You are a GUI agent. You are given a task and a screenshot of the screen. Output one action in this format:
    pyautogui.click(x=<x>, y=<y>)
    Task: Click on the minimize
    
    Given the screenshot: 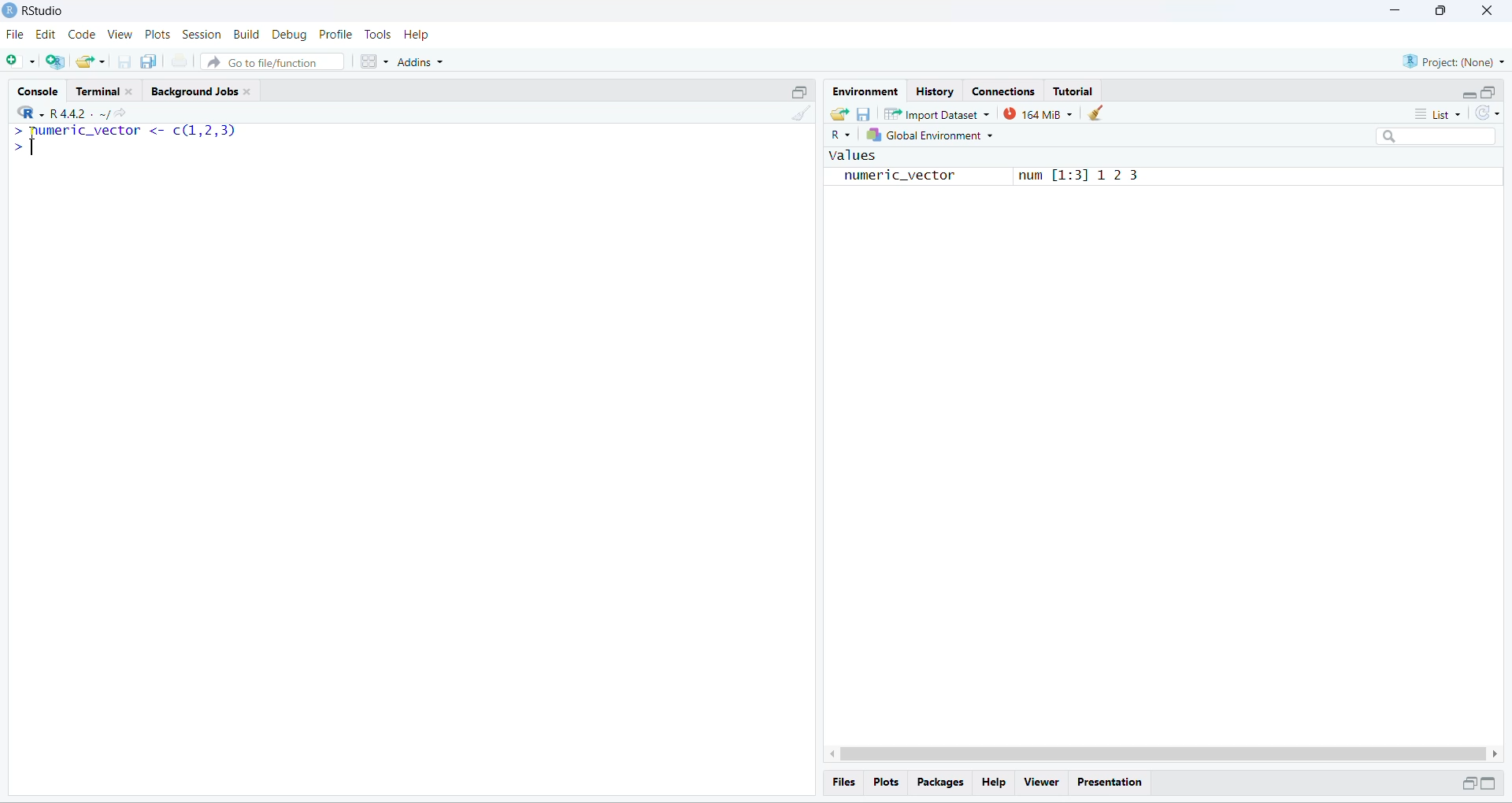 What is the action you would take?
    pyautogui.click(x=1466, y=783)
    